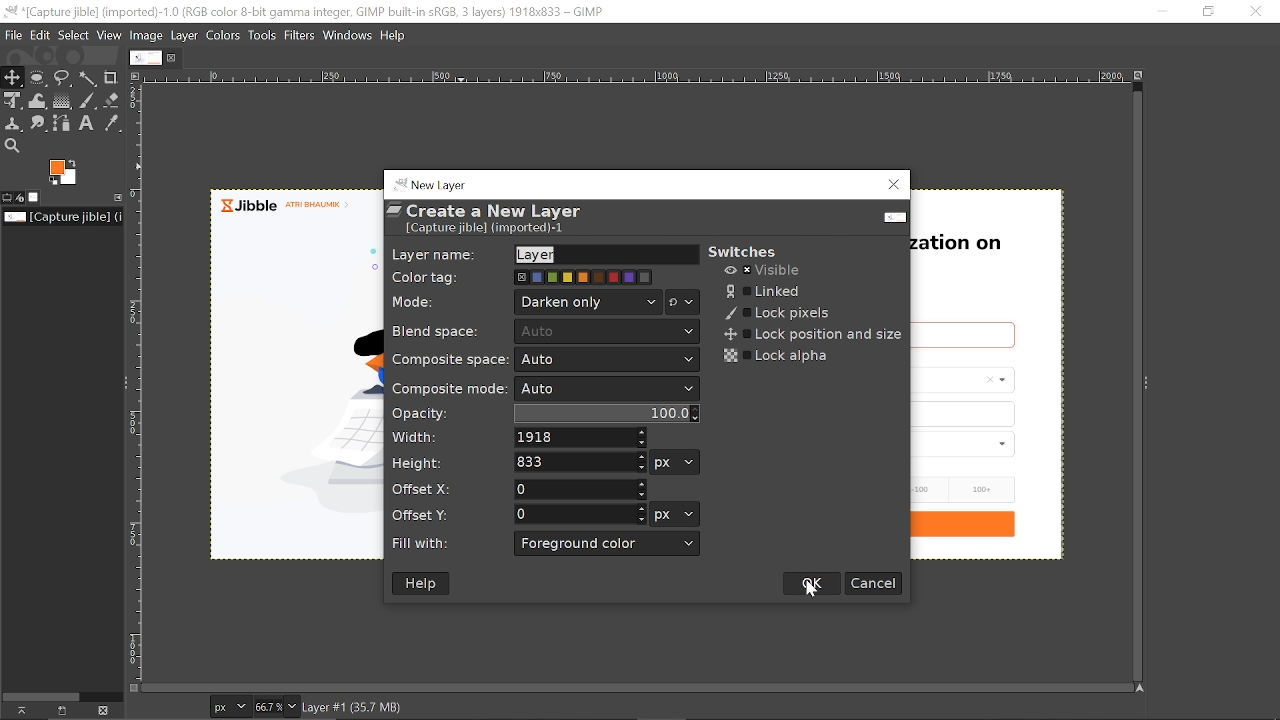 The height and width of the screenshot is (720, 1280). I want to click on Smudge tool, so click(40, 124).